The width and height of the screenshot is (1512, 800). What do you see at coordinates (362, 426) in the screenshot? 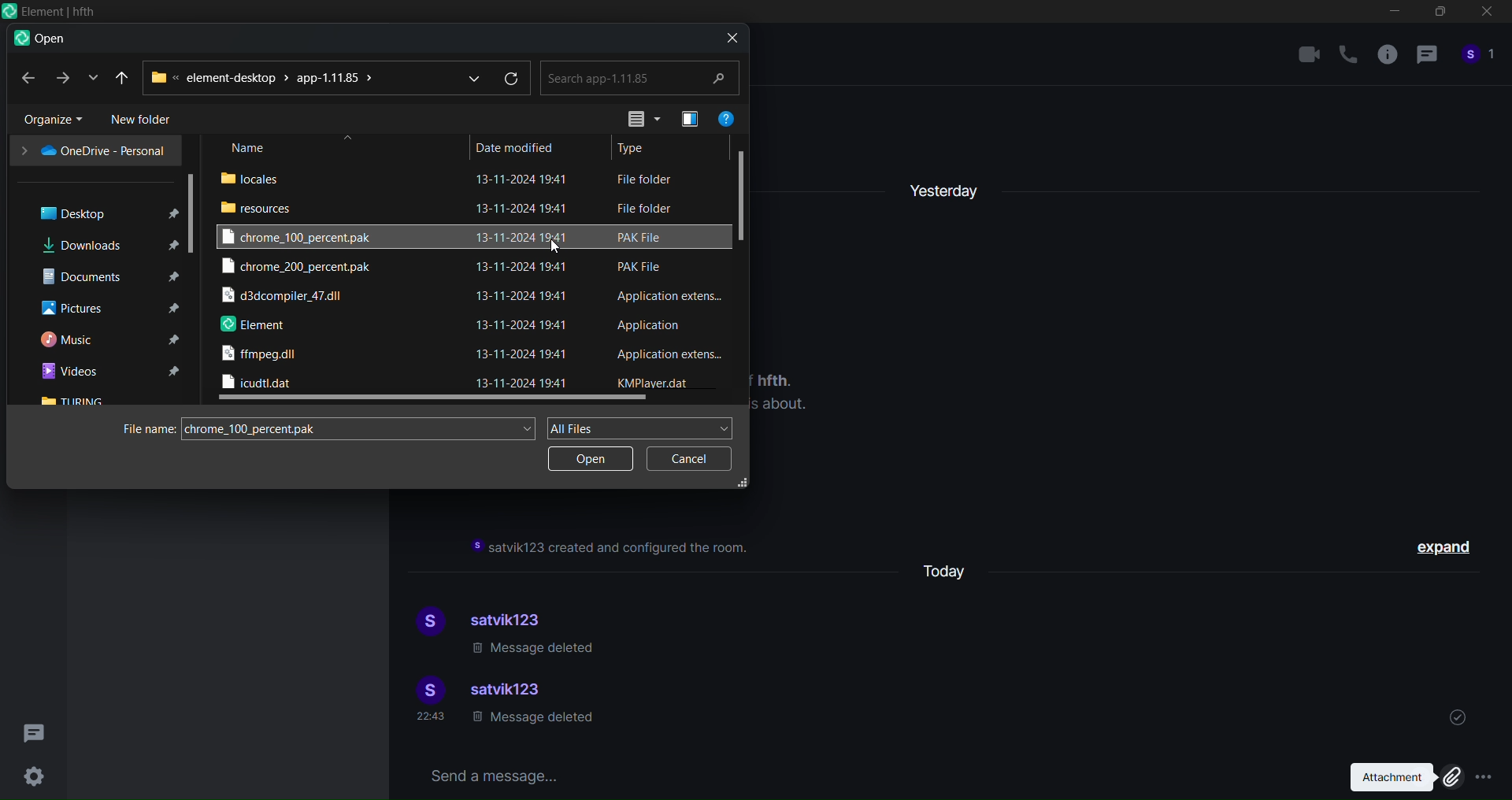
I see `search file name` at bounding box center [362, 426].